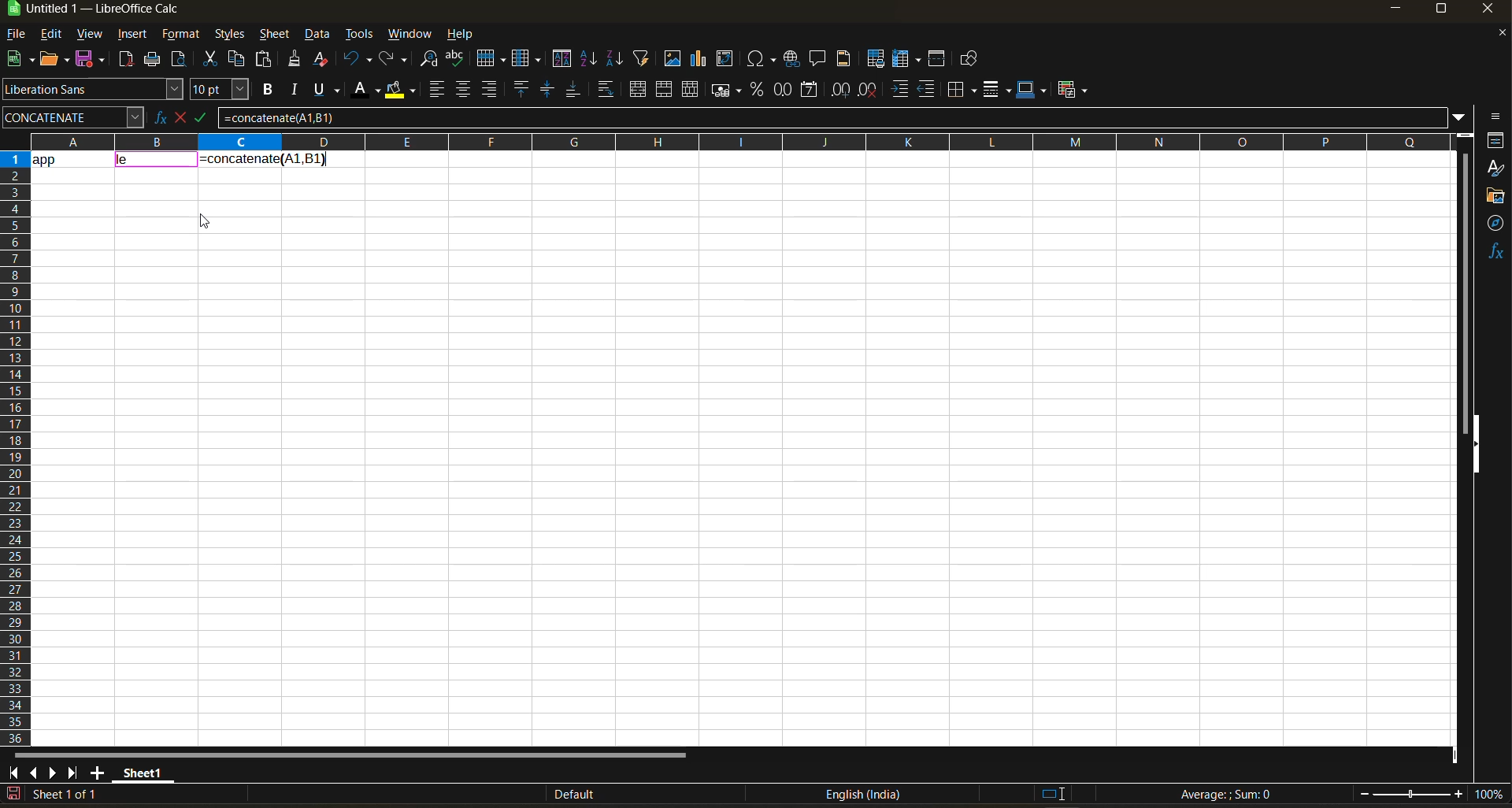  What do you see at coordinates (265, 61) in the screenshot?
I see `paste` at bounding box center [265, 61].